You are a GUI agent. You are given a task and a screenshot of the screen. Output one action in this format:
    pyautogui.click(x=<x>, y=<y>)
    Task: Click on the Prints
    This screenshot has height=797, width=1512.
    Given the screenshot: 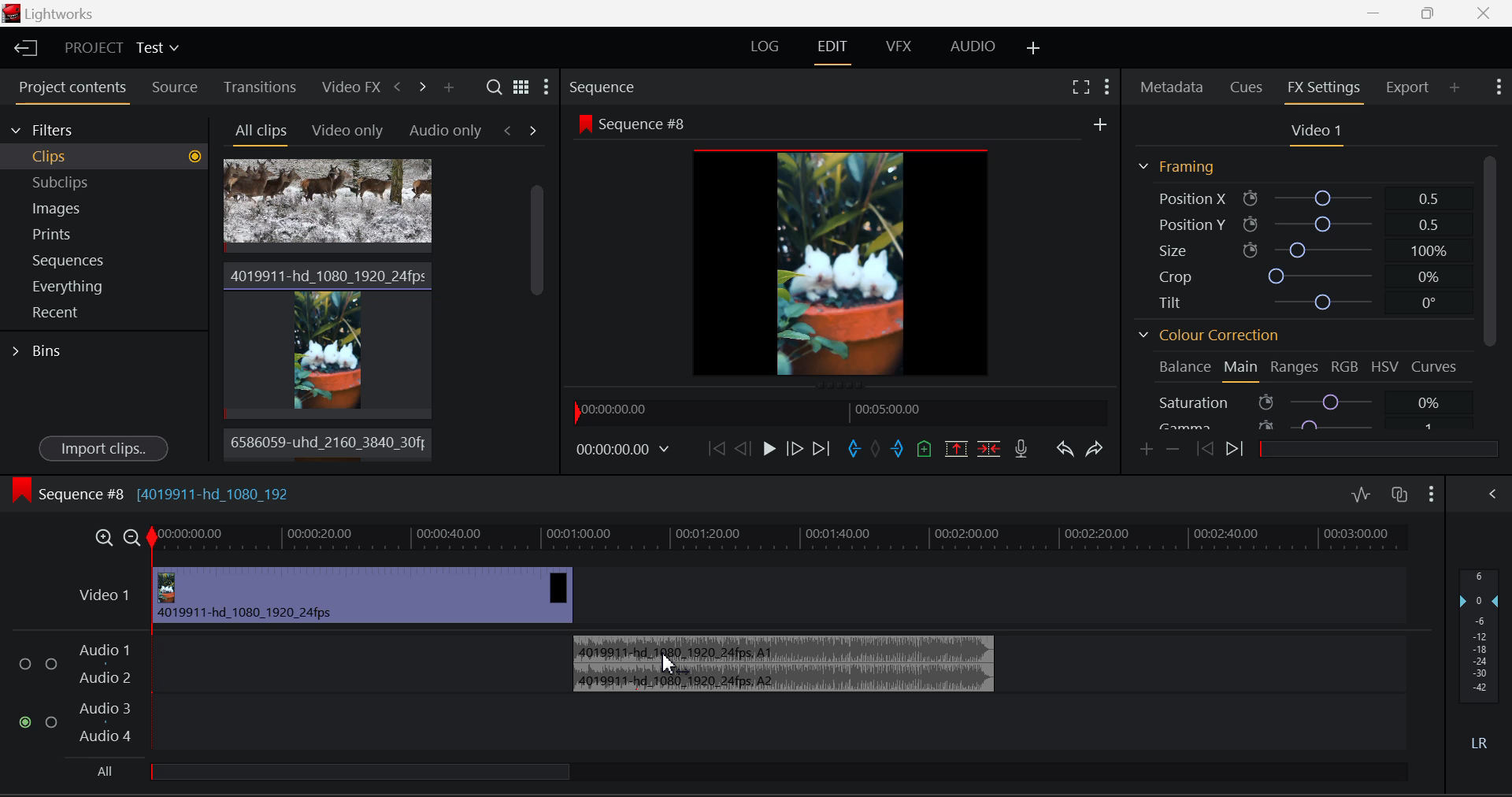 What is the action you would take?
    pyautogui.click(x=105, y=233)
    